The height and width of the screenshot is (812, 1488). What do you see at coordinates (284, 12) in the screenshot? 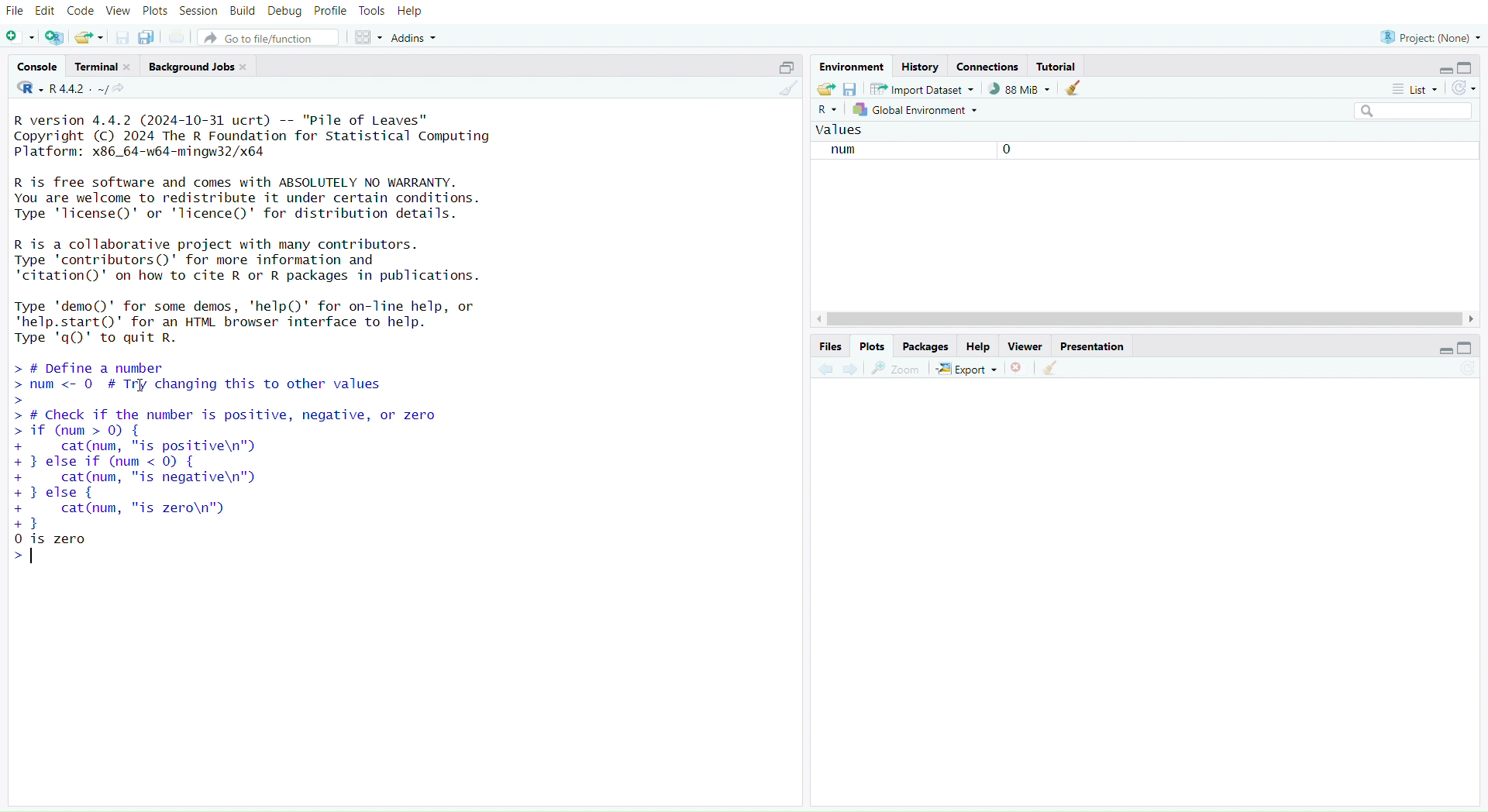
I see `debug` at bounding box center [284, 12].